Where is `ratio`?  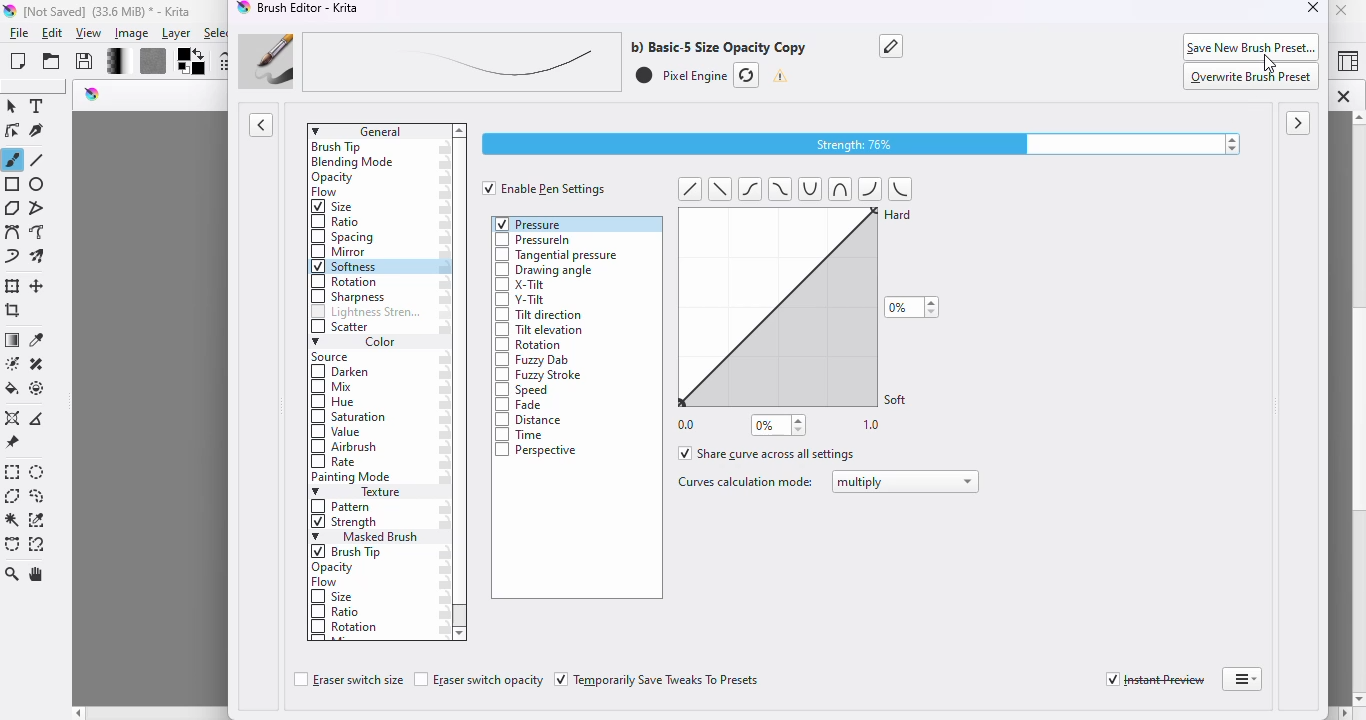
ratio is located at coordinates (336, 610).